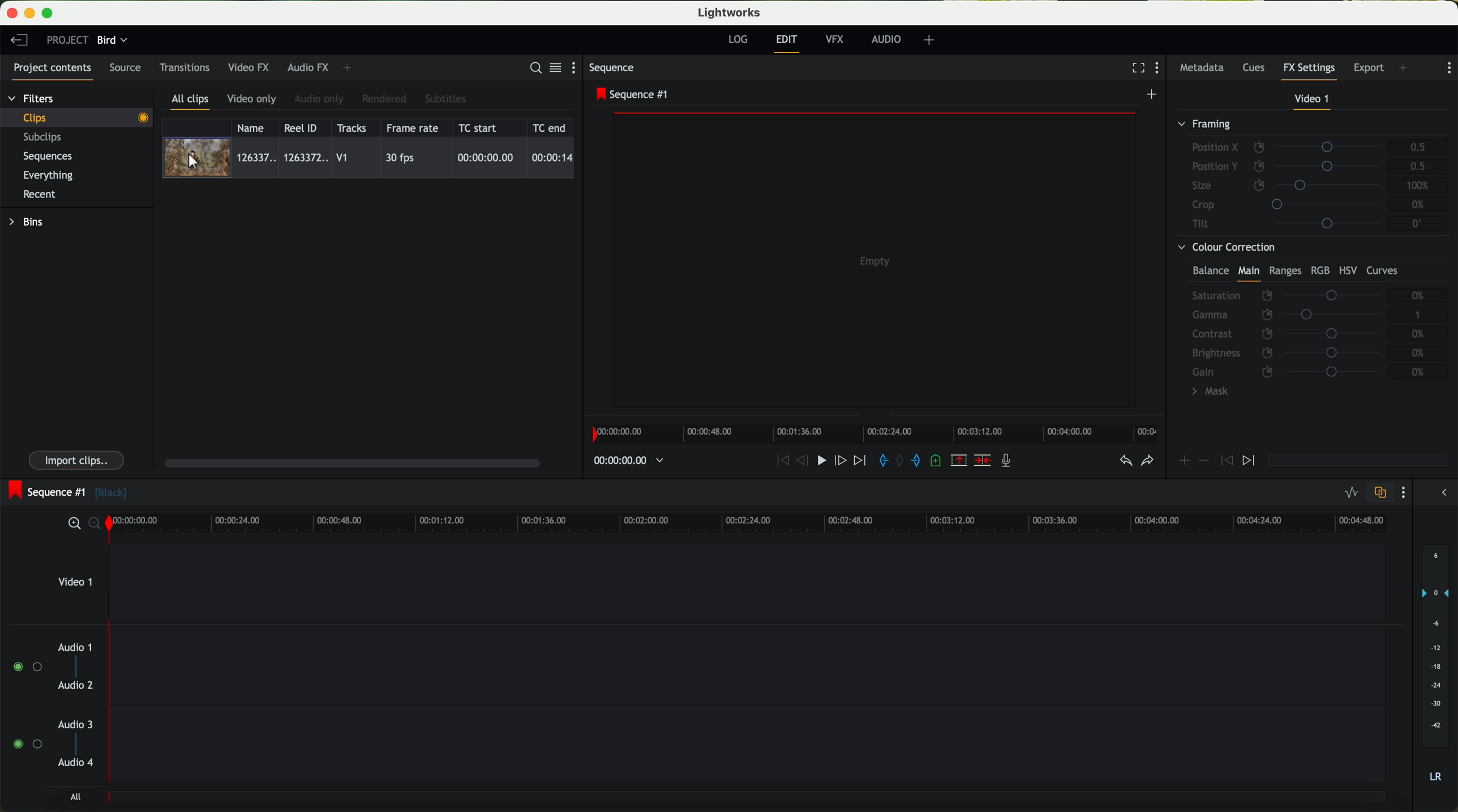 This screenshot has width=1458, height=812. Describe the element at coordinates (251, 67) in the screenshot. I see `video FX` at that location.